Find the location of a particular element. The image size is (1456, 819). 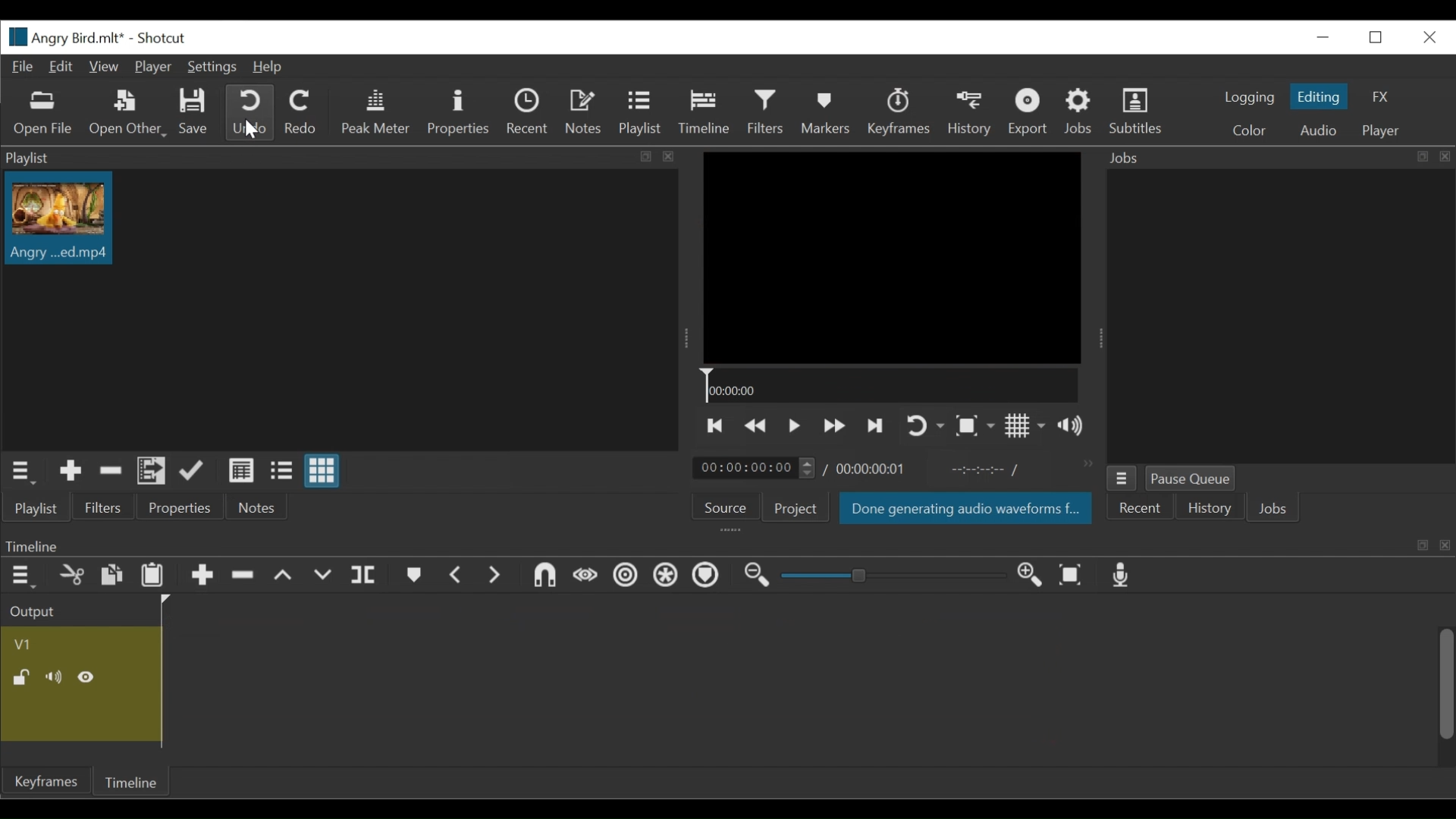

Update is located at coordinates (193, 470).